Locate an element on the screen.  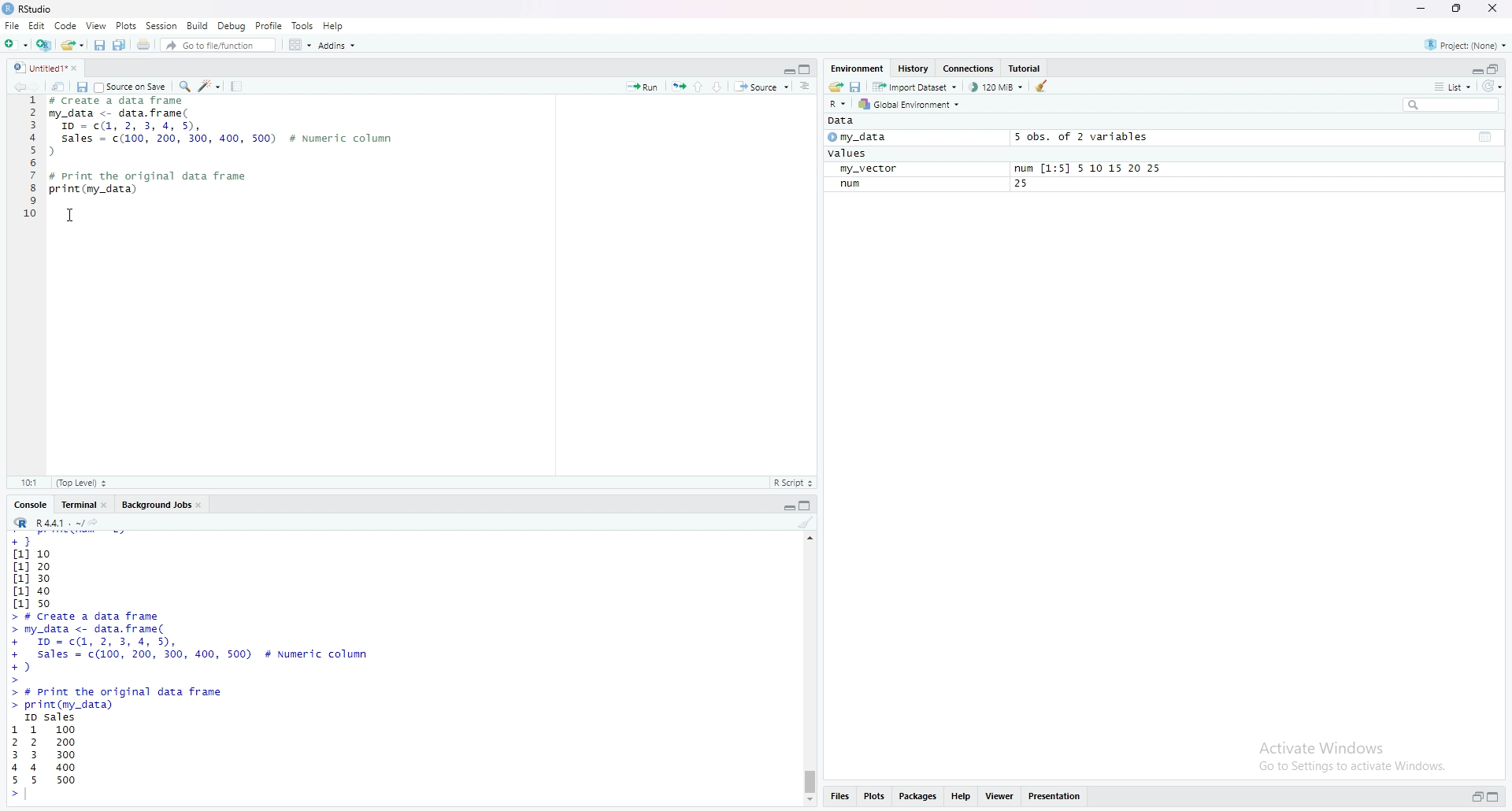
save current document is located at coordinates (83, 87).